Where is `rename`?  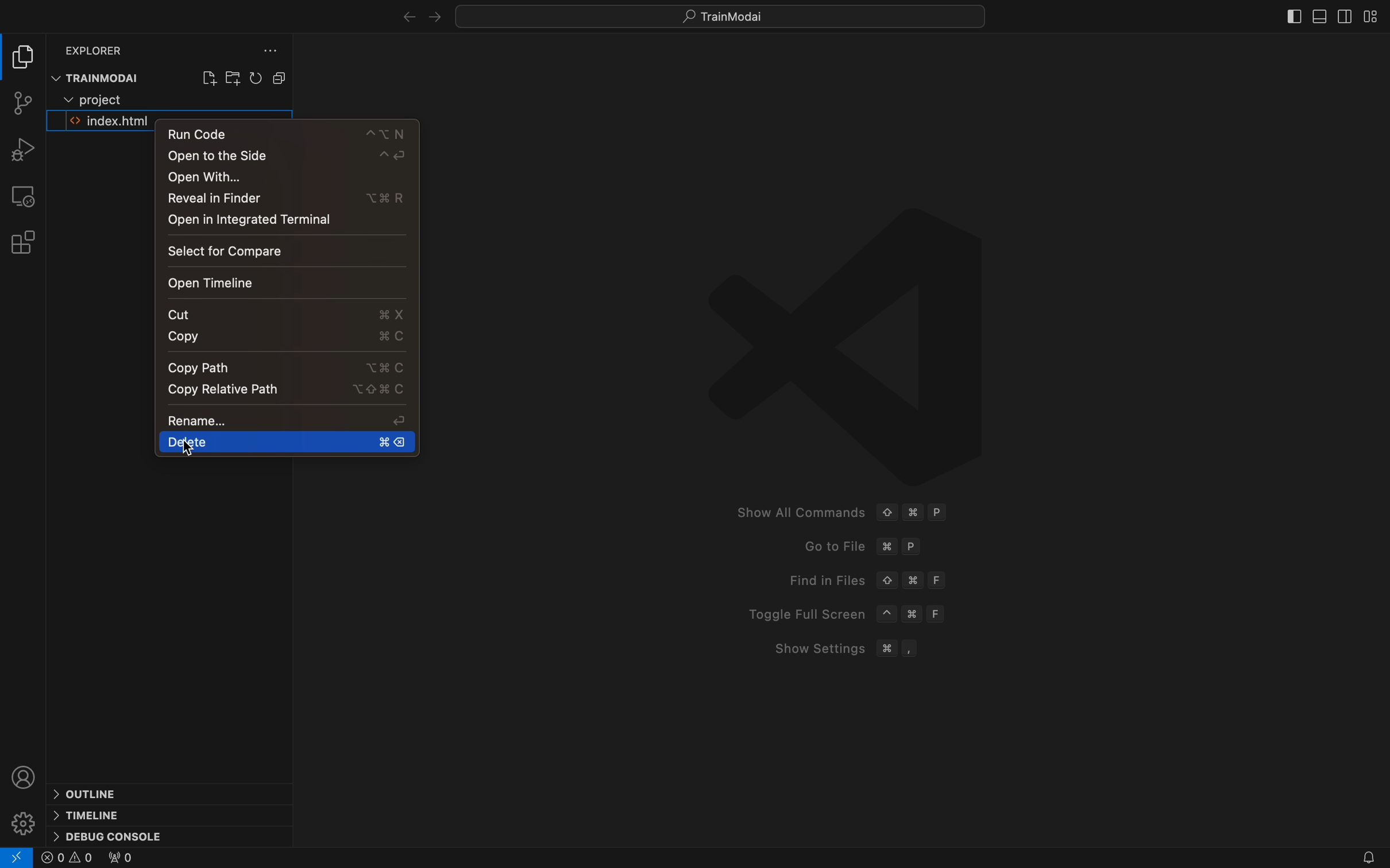 rename is located at coordinates (400, 420).